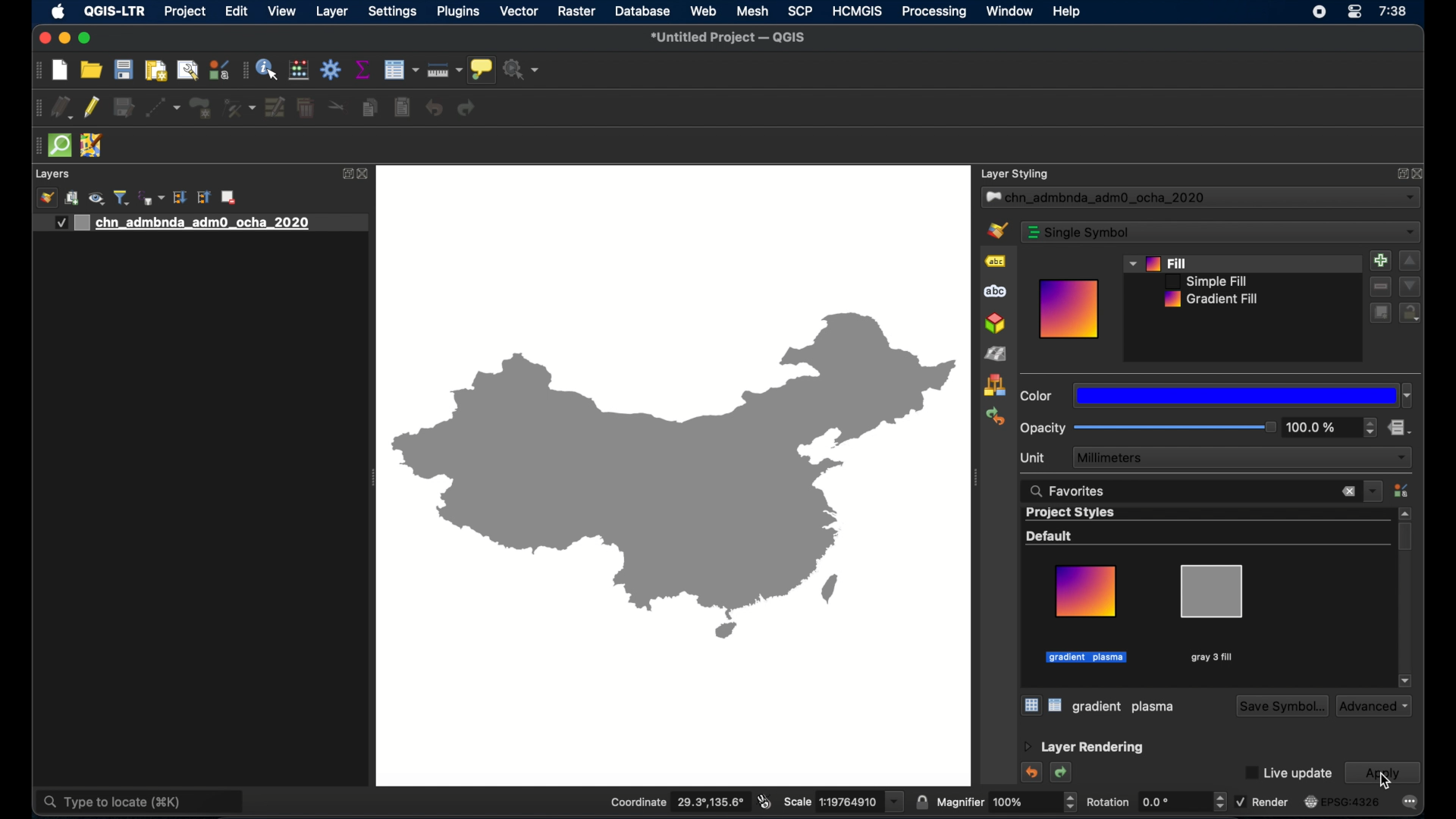 This screenshot has height=819, width=1456. I want to click on drop down arrow, so click(896, 805).